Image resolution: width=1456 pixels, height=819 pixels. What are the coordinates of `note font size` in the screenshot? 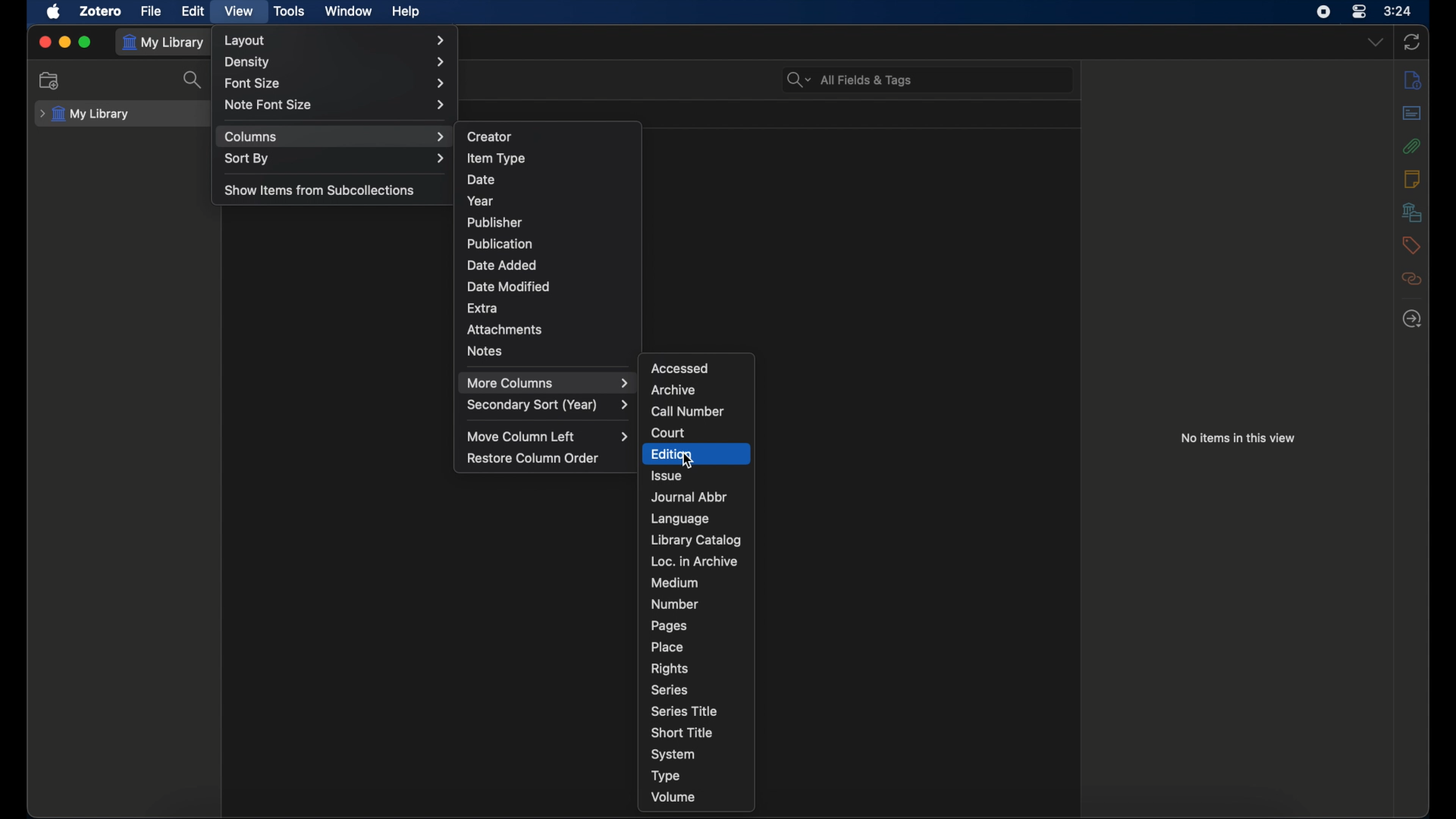 It's located at (337, 105).